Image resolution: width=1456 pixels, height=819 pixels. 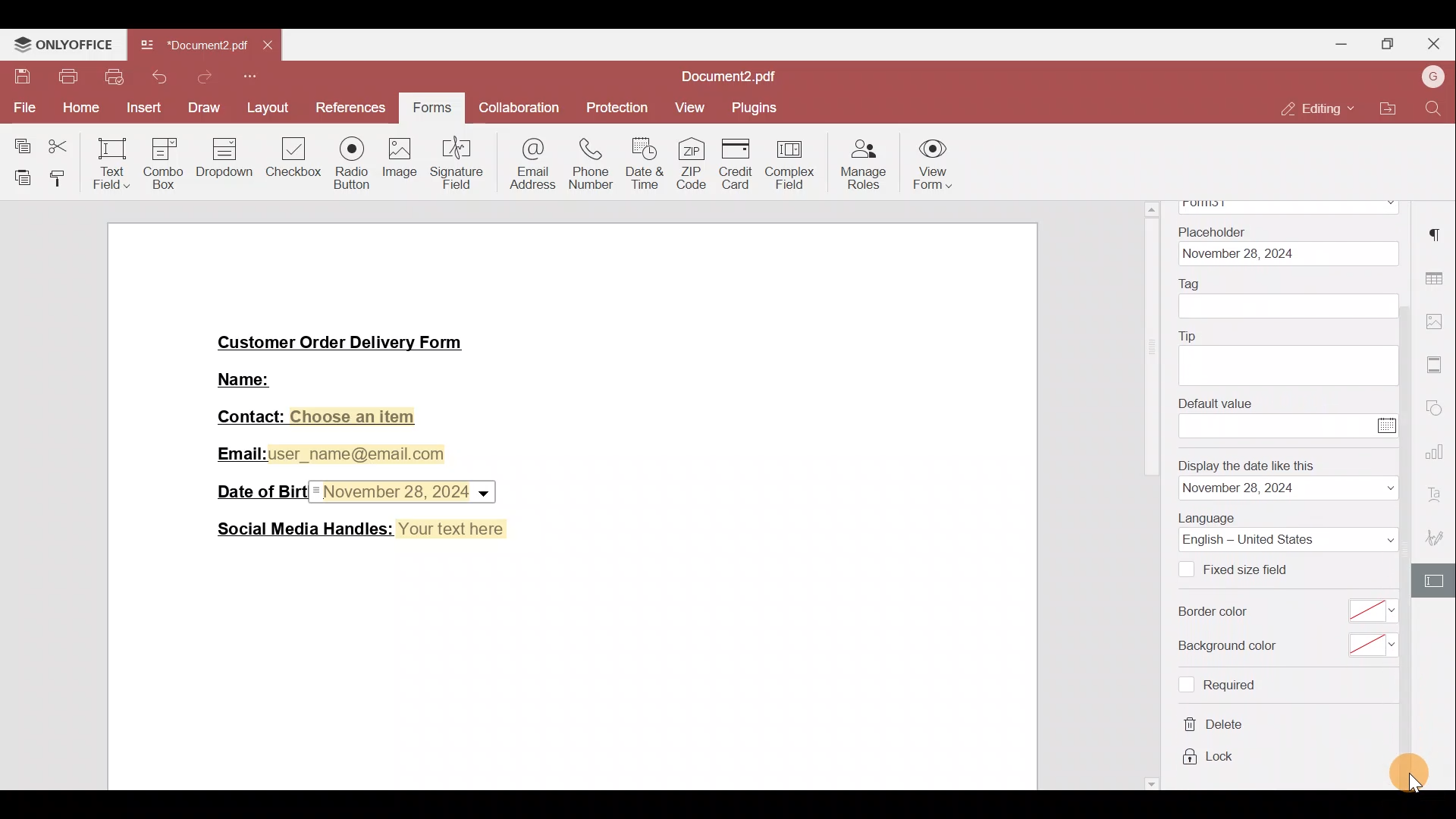 I want to click on Paragraph settings, so click(x=1439, y=234).